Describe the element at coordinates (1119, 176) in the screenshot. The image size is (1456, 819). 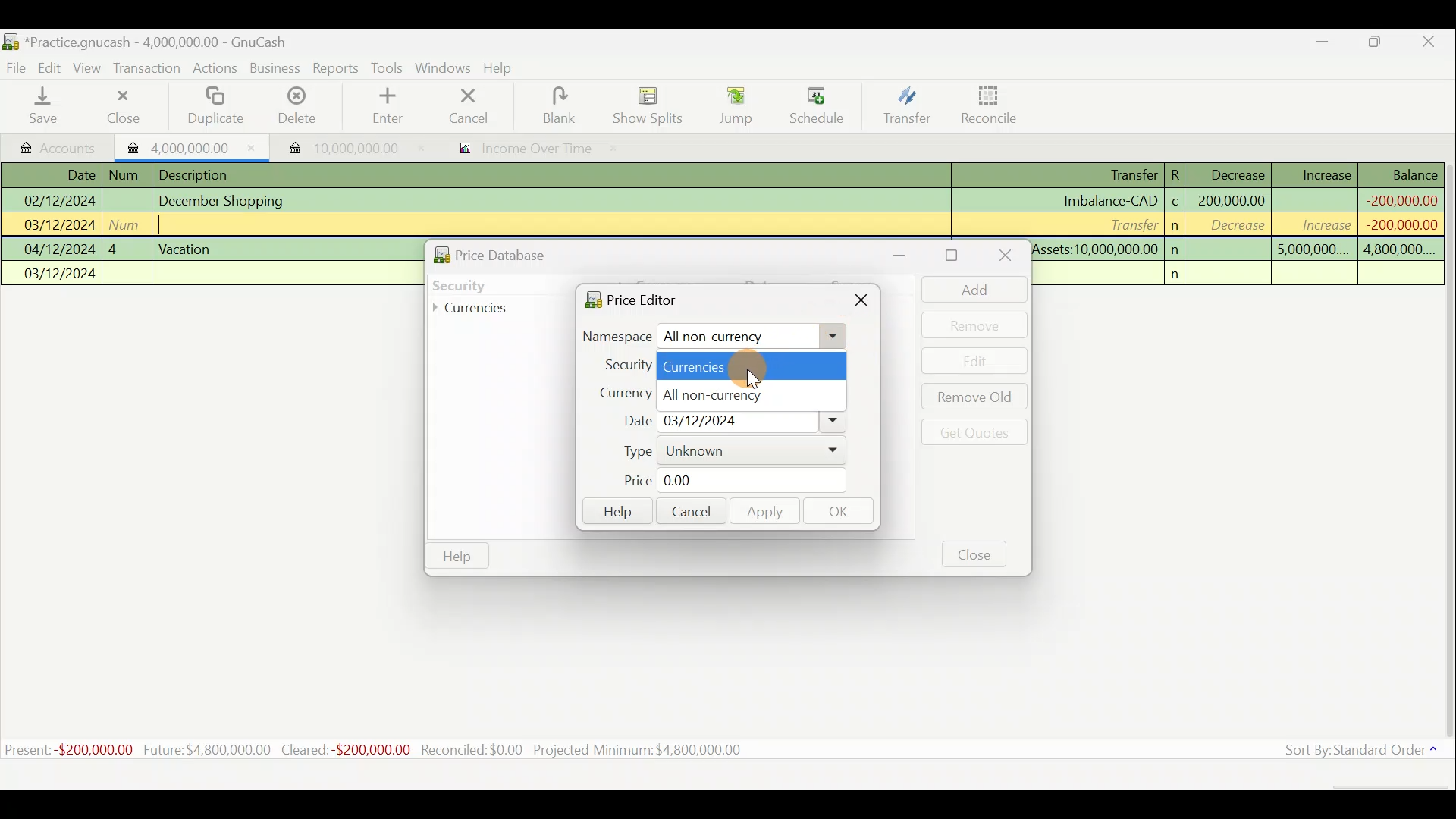
I see `Transfer` at that location.